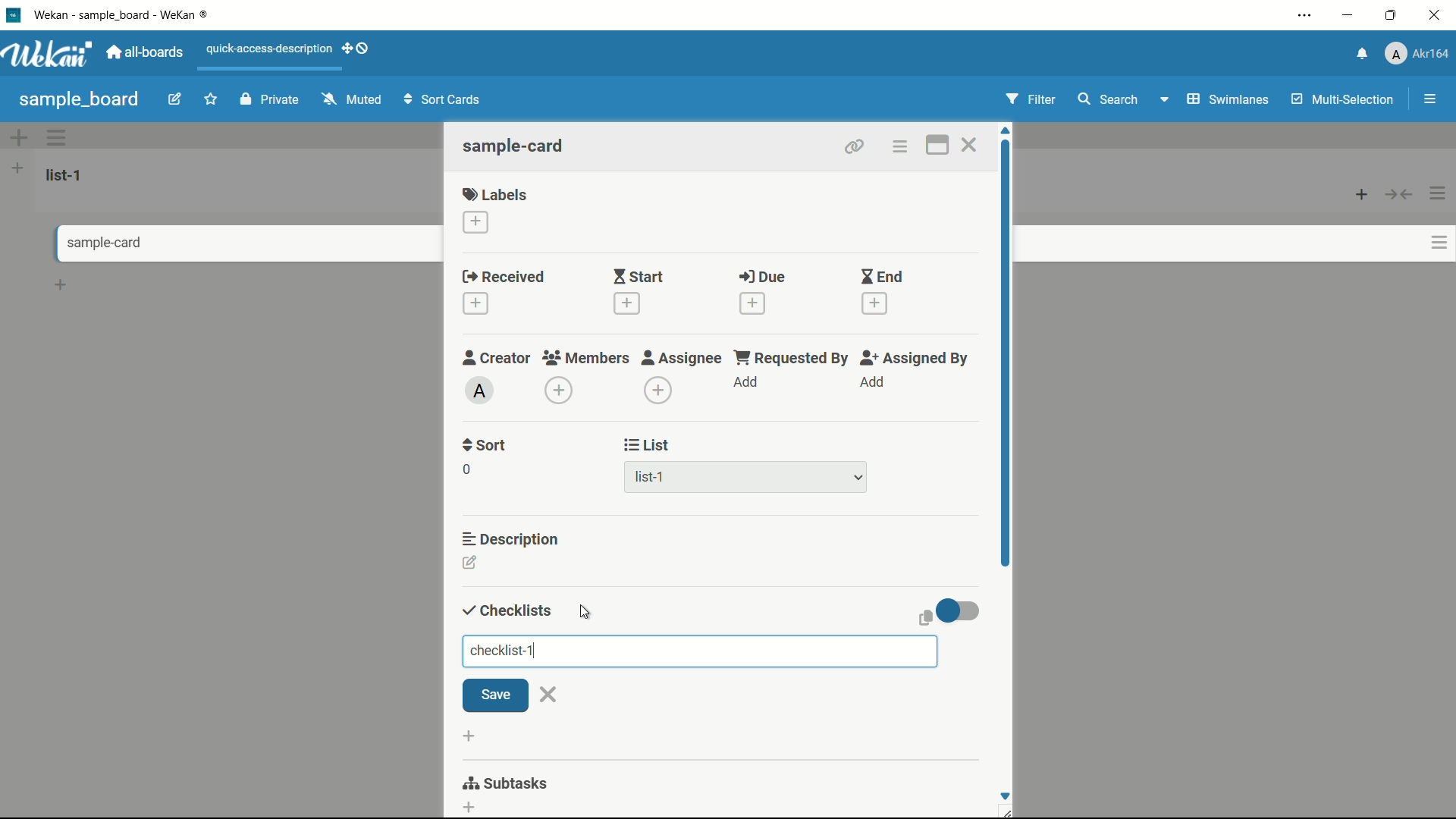  Describe the element at coordinates (67, 174) in the screenshot. I see `list-1` at that location.